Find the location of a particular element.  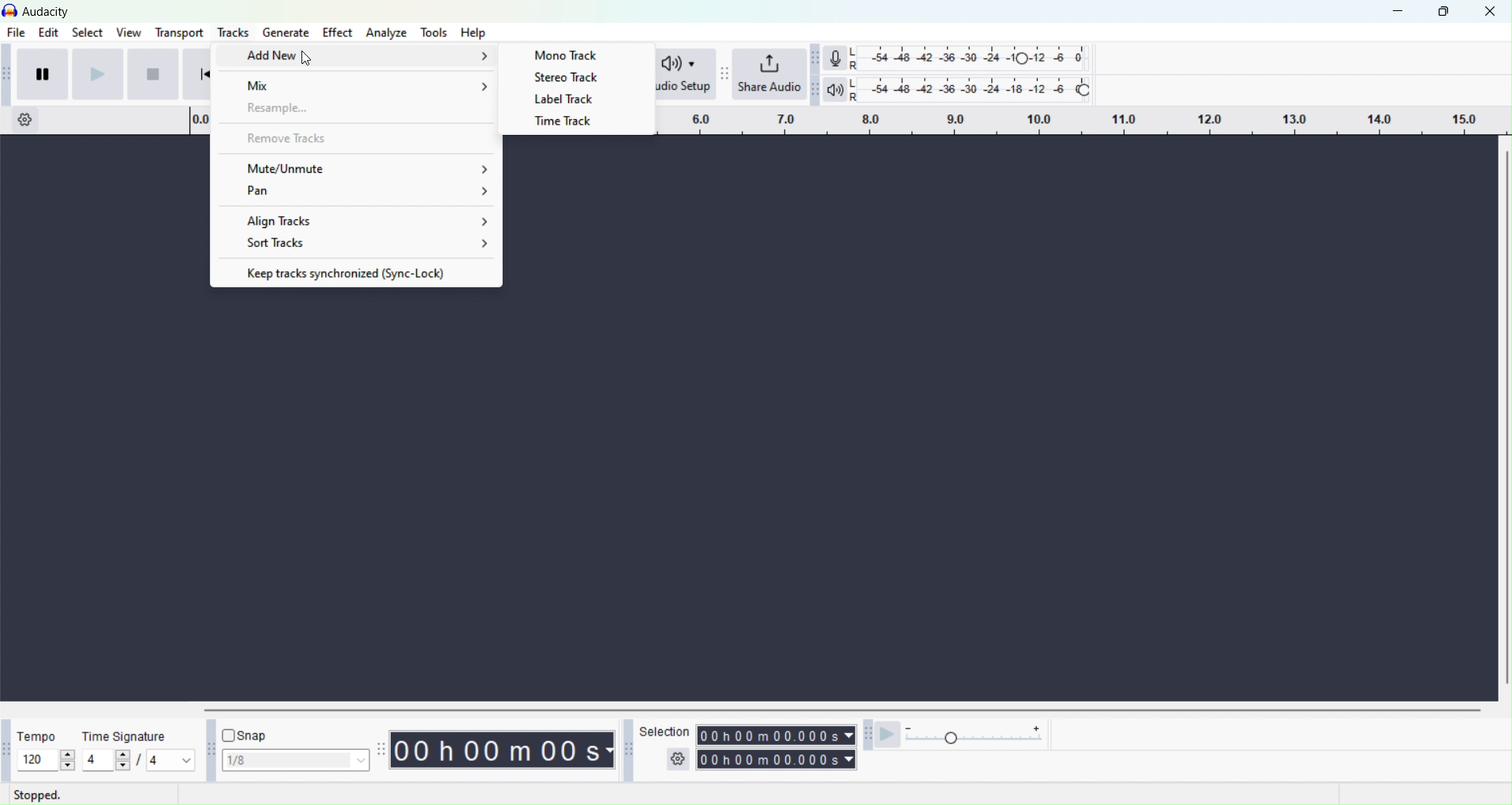

Close is located at coordinates (1493, 12).